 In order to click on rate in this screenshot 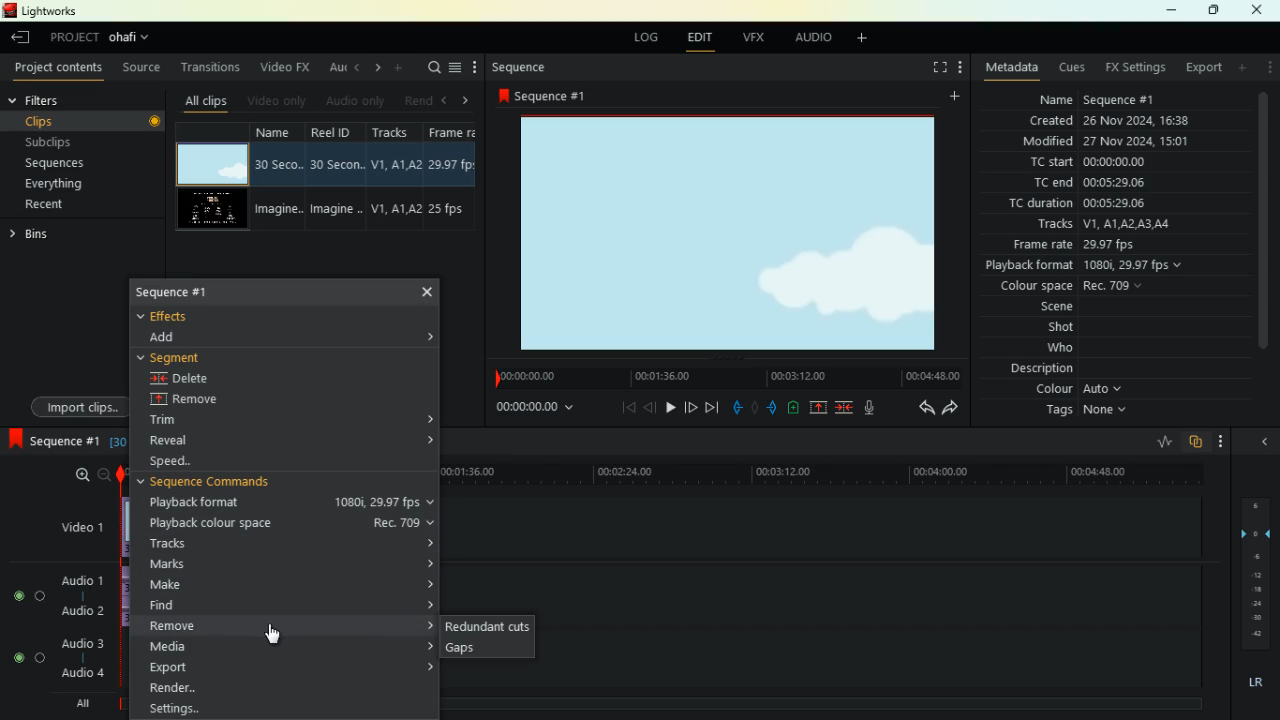, I will do `click(1162, 440)`.